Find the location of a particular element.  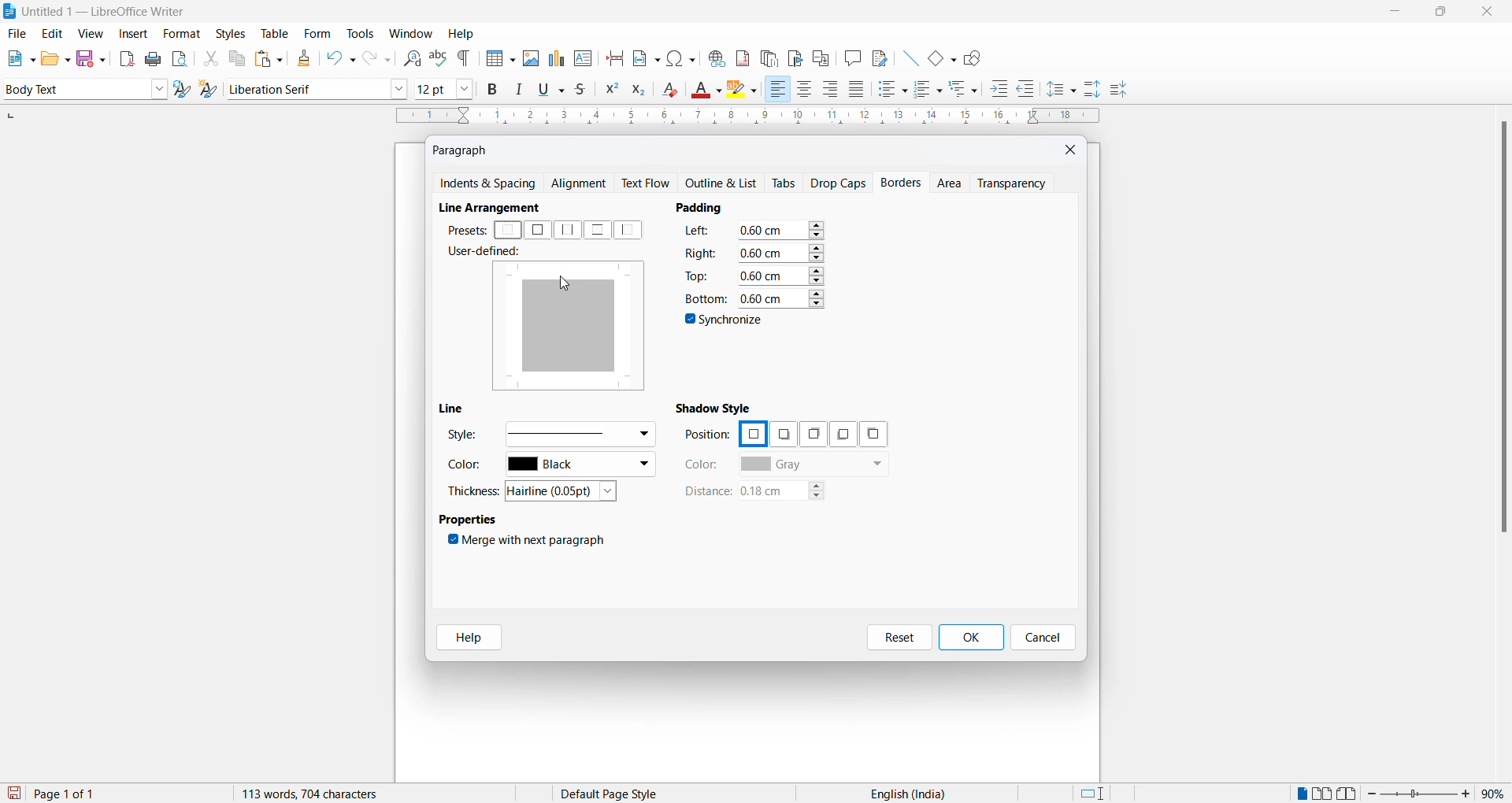

outline is located at coordinates (725, 184).